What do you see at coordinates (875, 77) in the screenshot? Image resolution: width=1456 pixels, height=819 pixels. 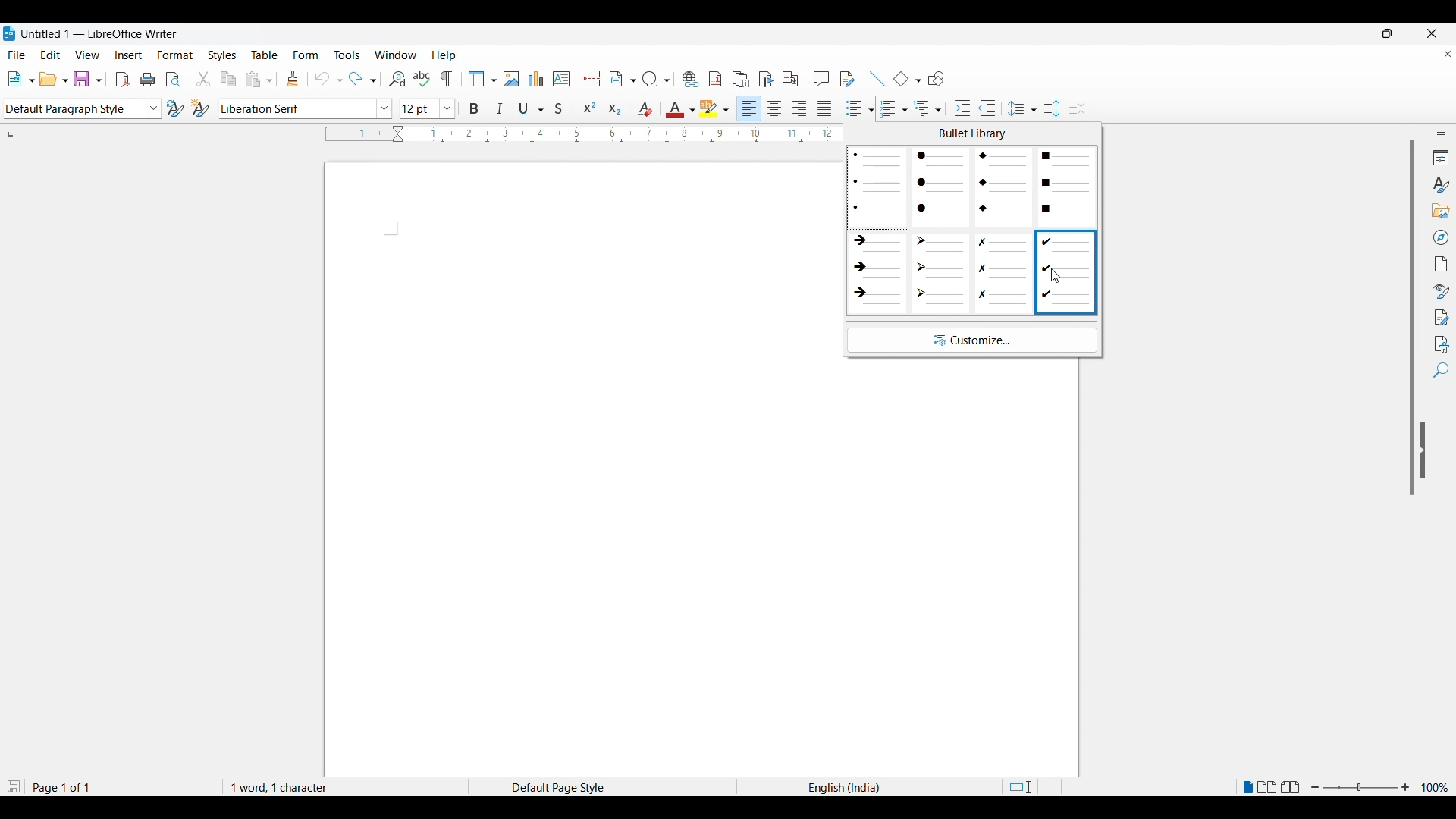 I see `add line` at bounding box center [875, 77].